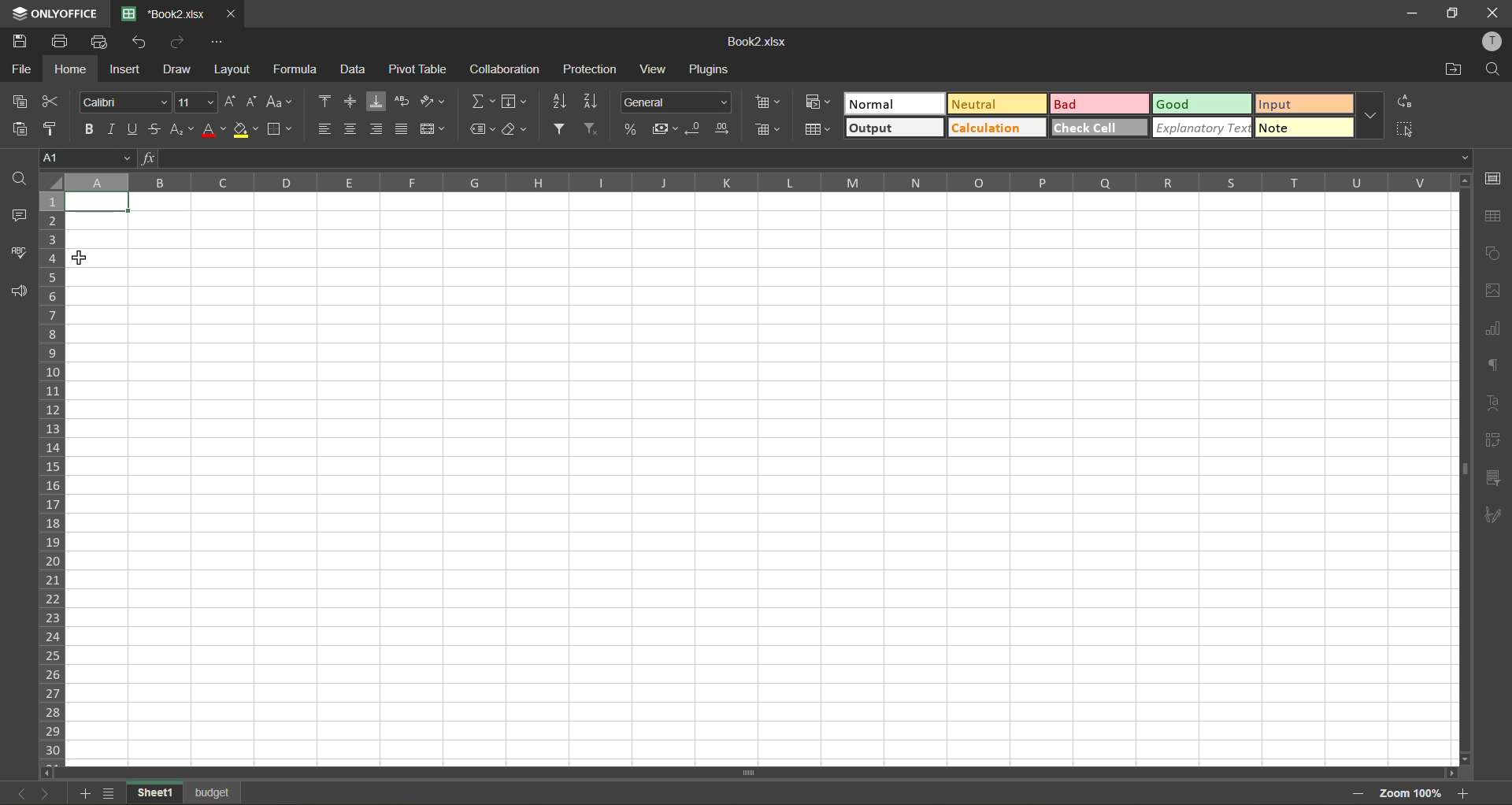 The width and height of the screenshot is (1512, 805). What do you see at coordinates (380, 101) in the screenshot?
I see `align bottom` at bounding box center [380, 101].